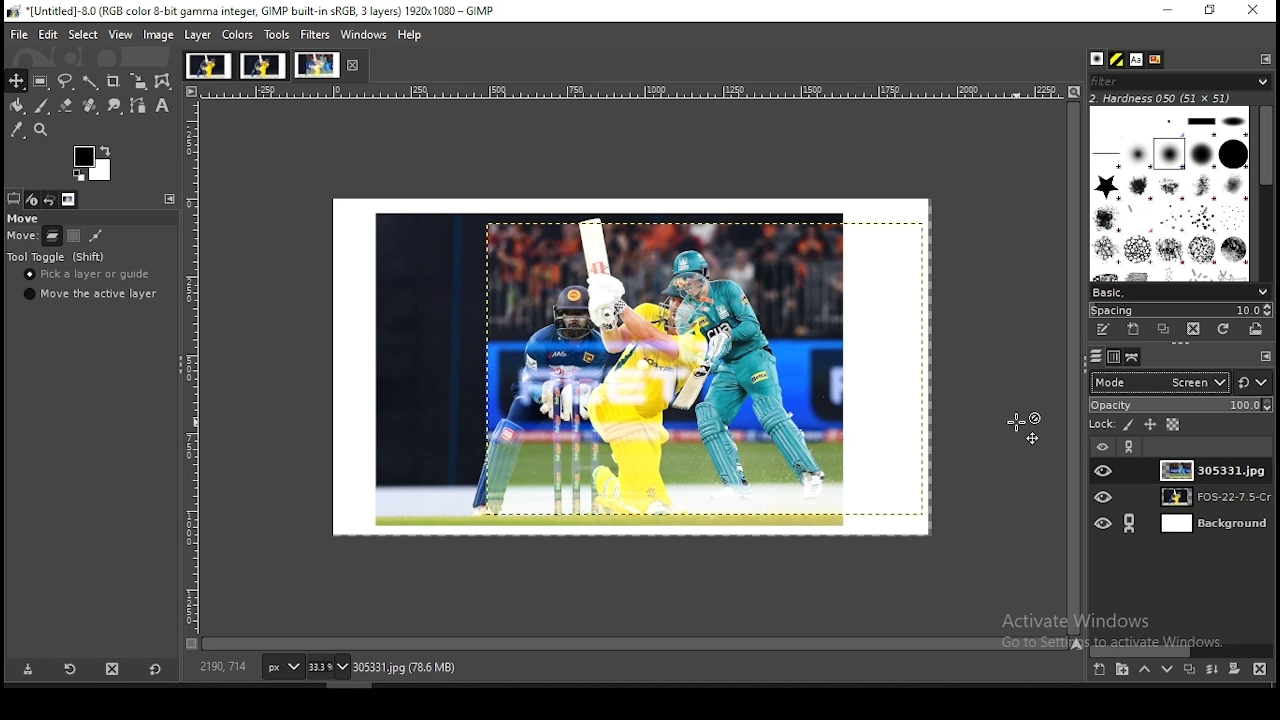 The width and height of the screenshot is (1280, 720). I want to click on images, so click(641, 366).